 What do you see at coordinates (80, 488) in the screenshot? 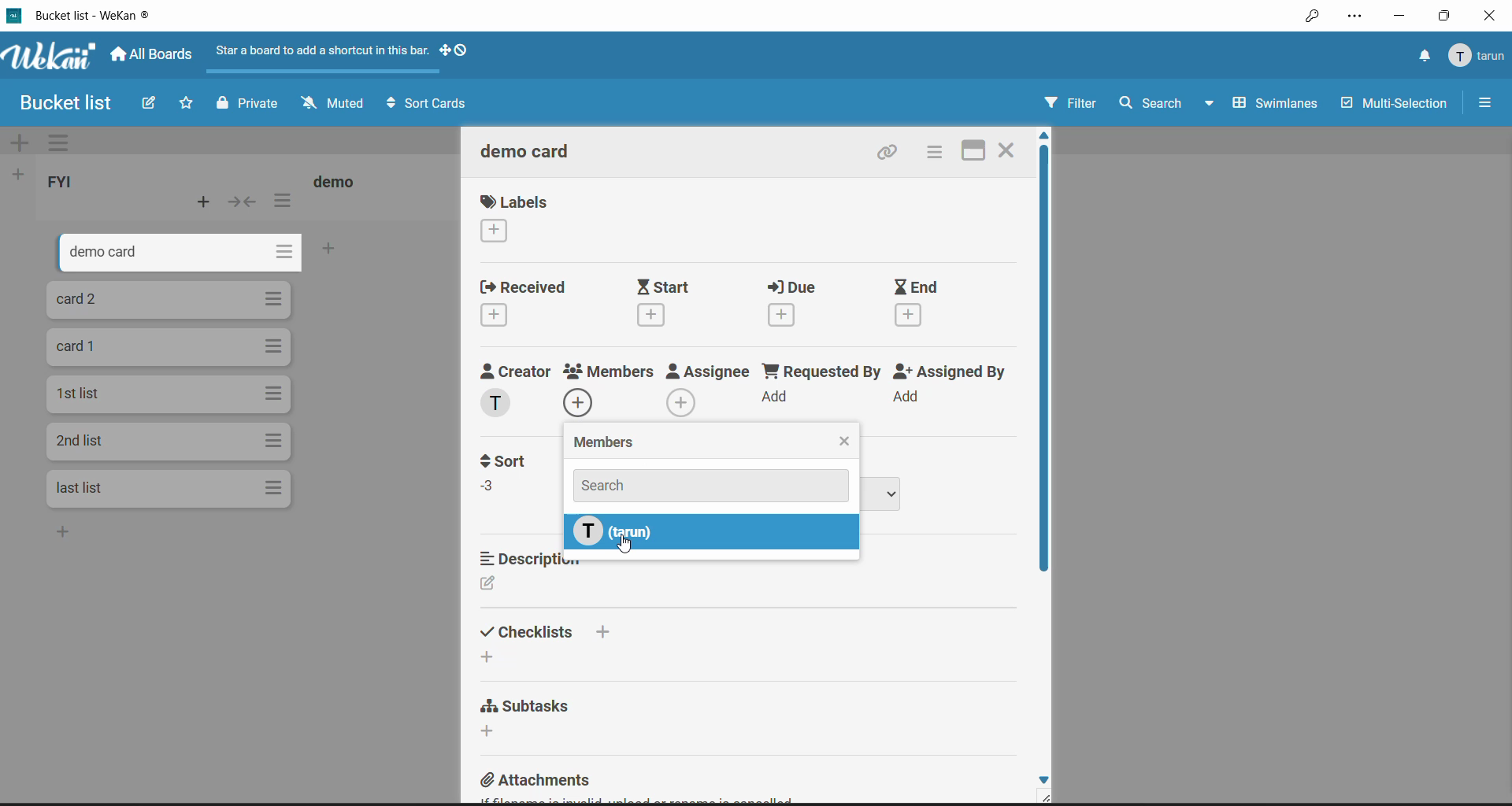
I see `card title` at bounding box center [80, 488].